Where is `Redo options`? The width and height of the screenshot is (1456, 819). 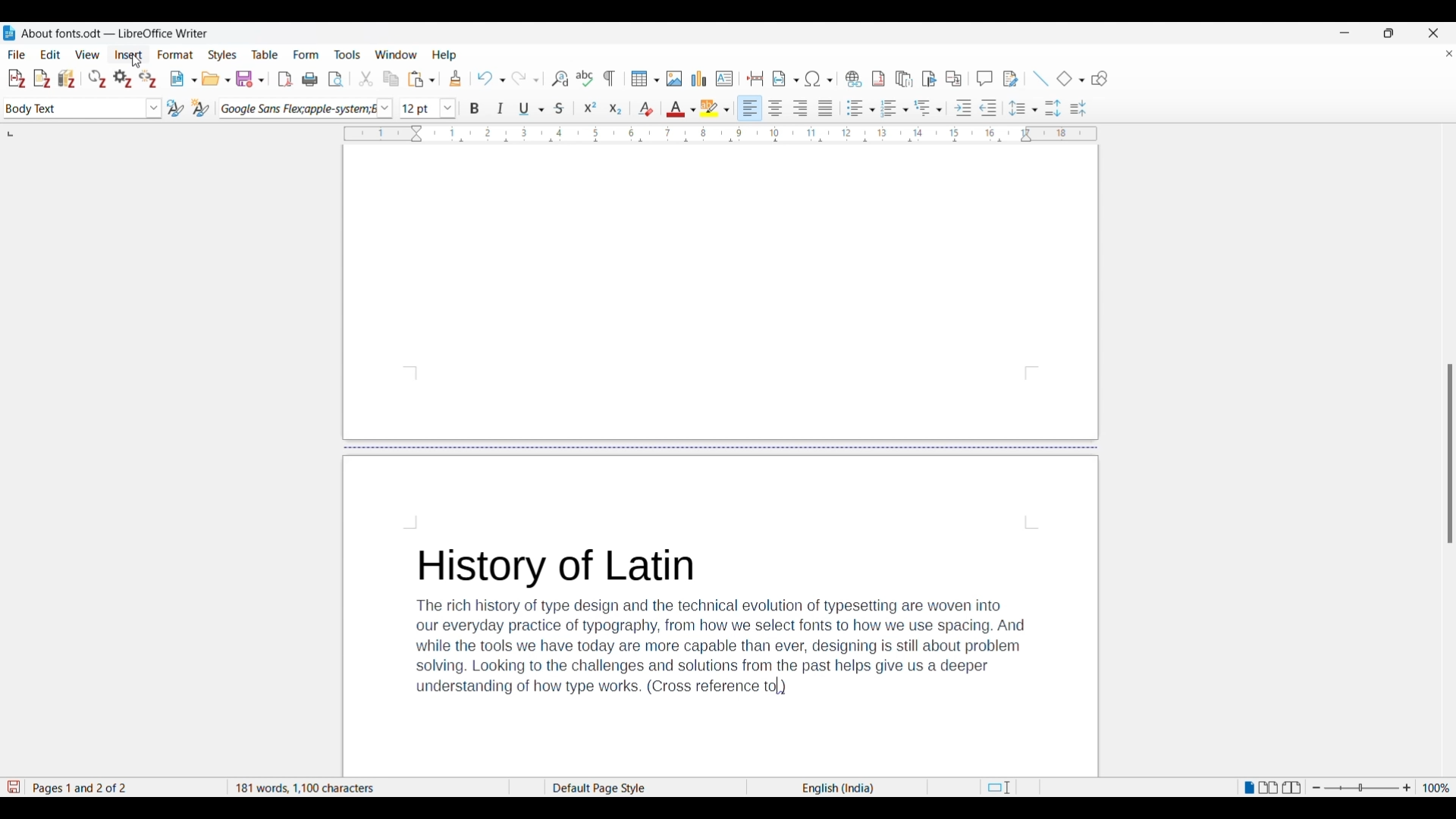
Redo options is located at coordinates (525, 79).